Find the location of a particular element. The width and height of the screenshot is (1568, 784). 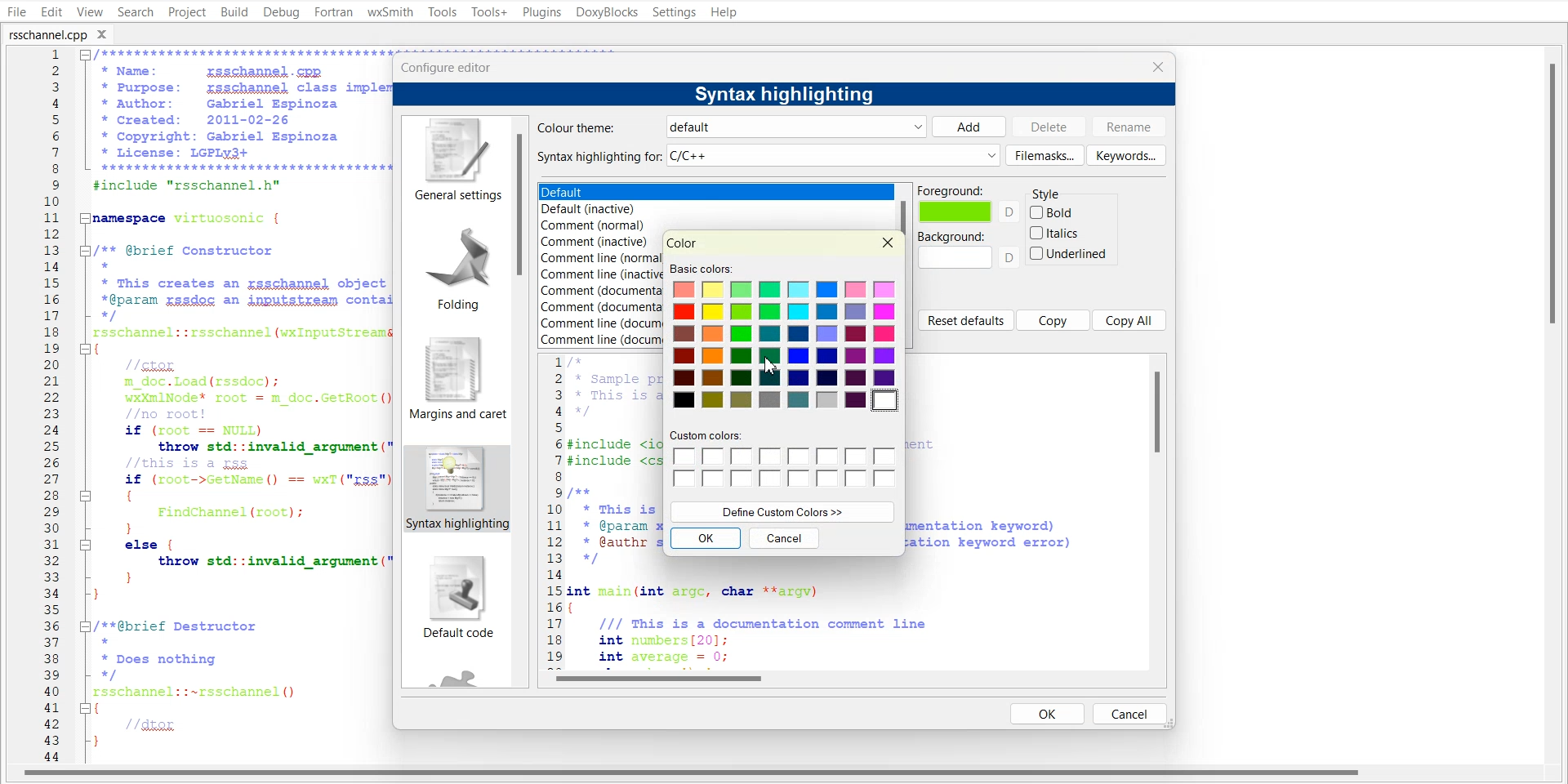

Tools is located at coordinates (442, 11).